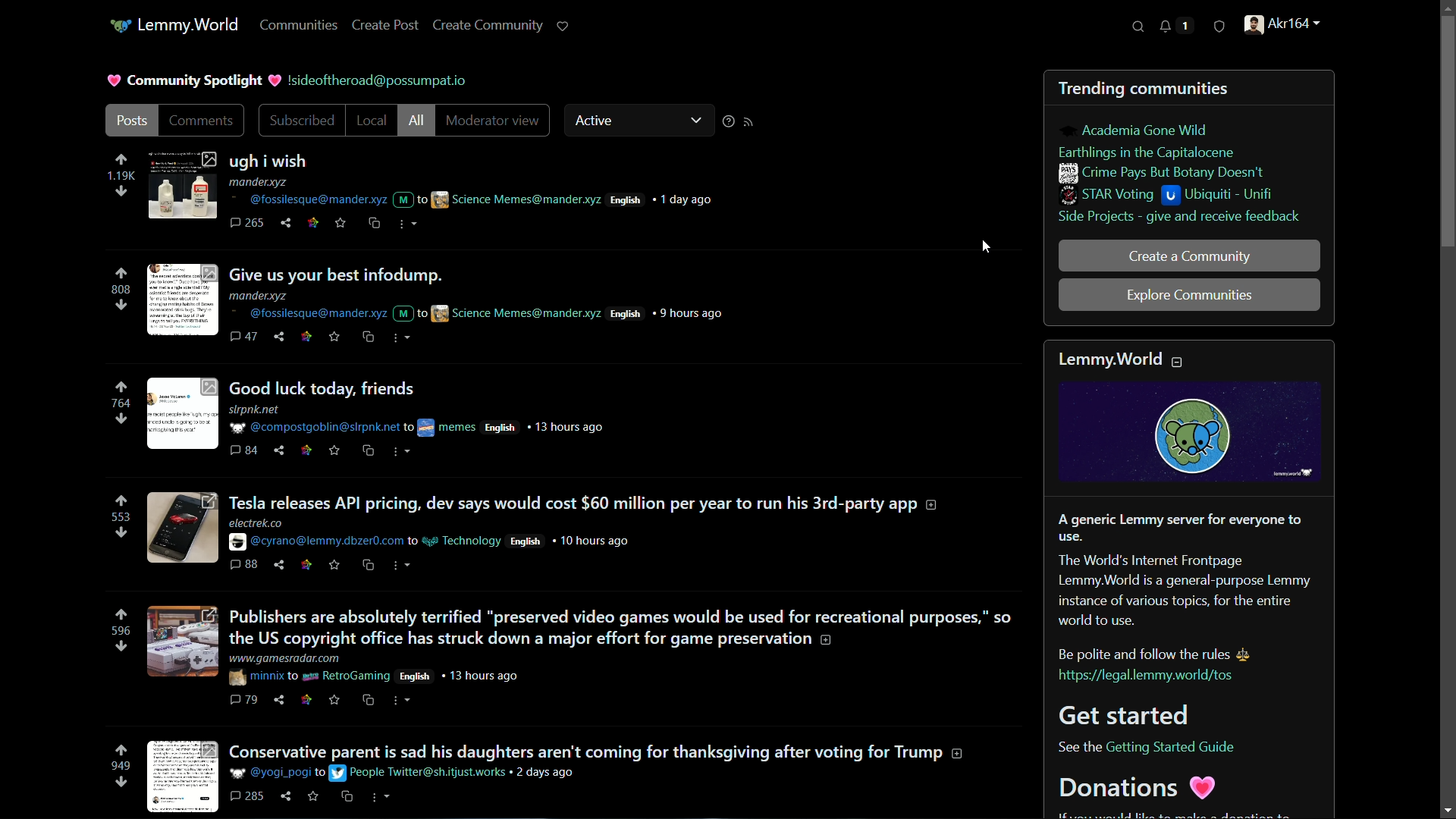  I want to click on English  13 hours ago, so click(546, 426).